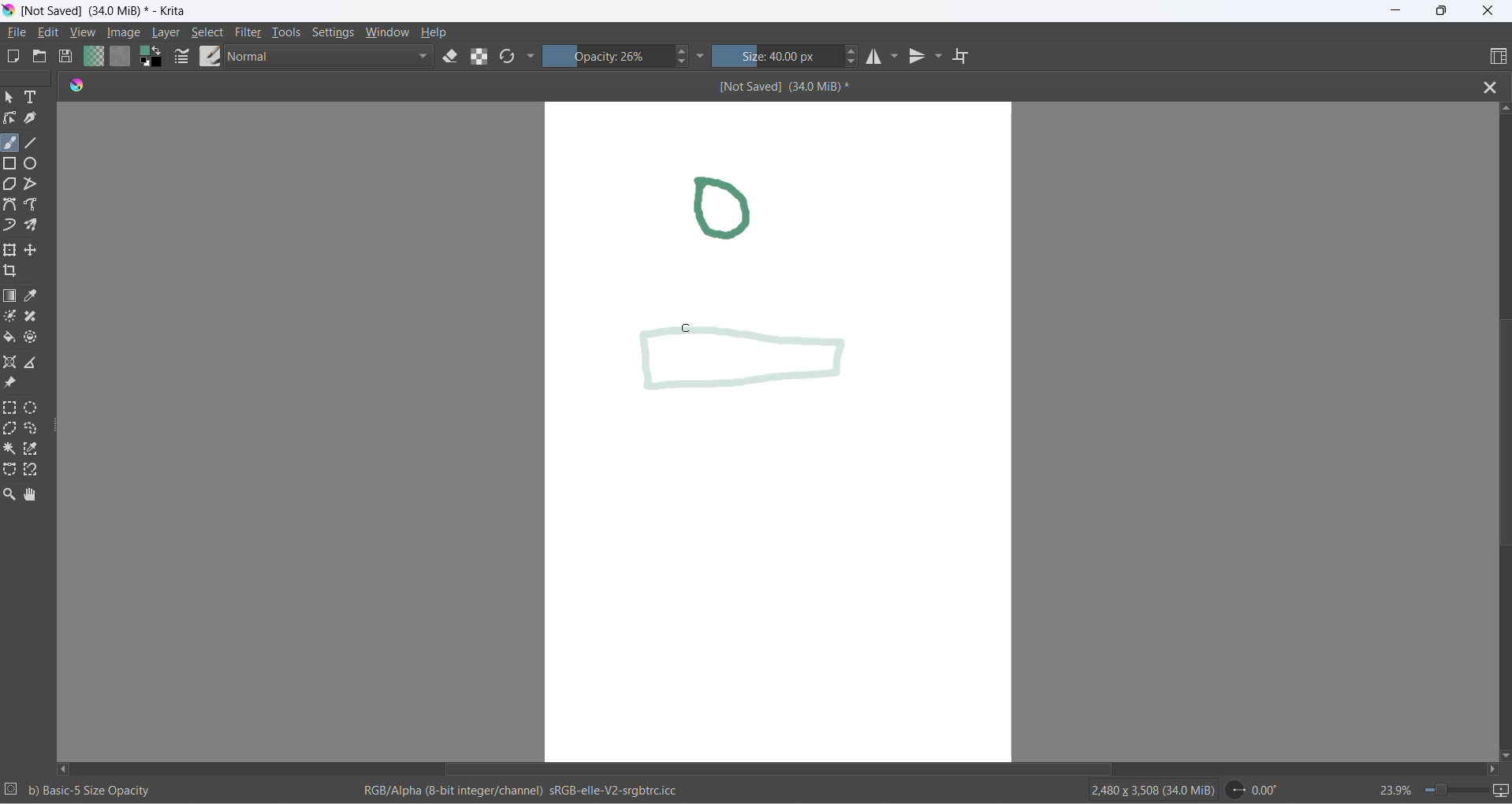 The image size is (1512, 804). I want to click on 2480 x 3508 (34.0 MiB), so click(1145, 790).